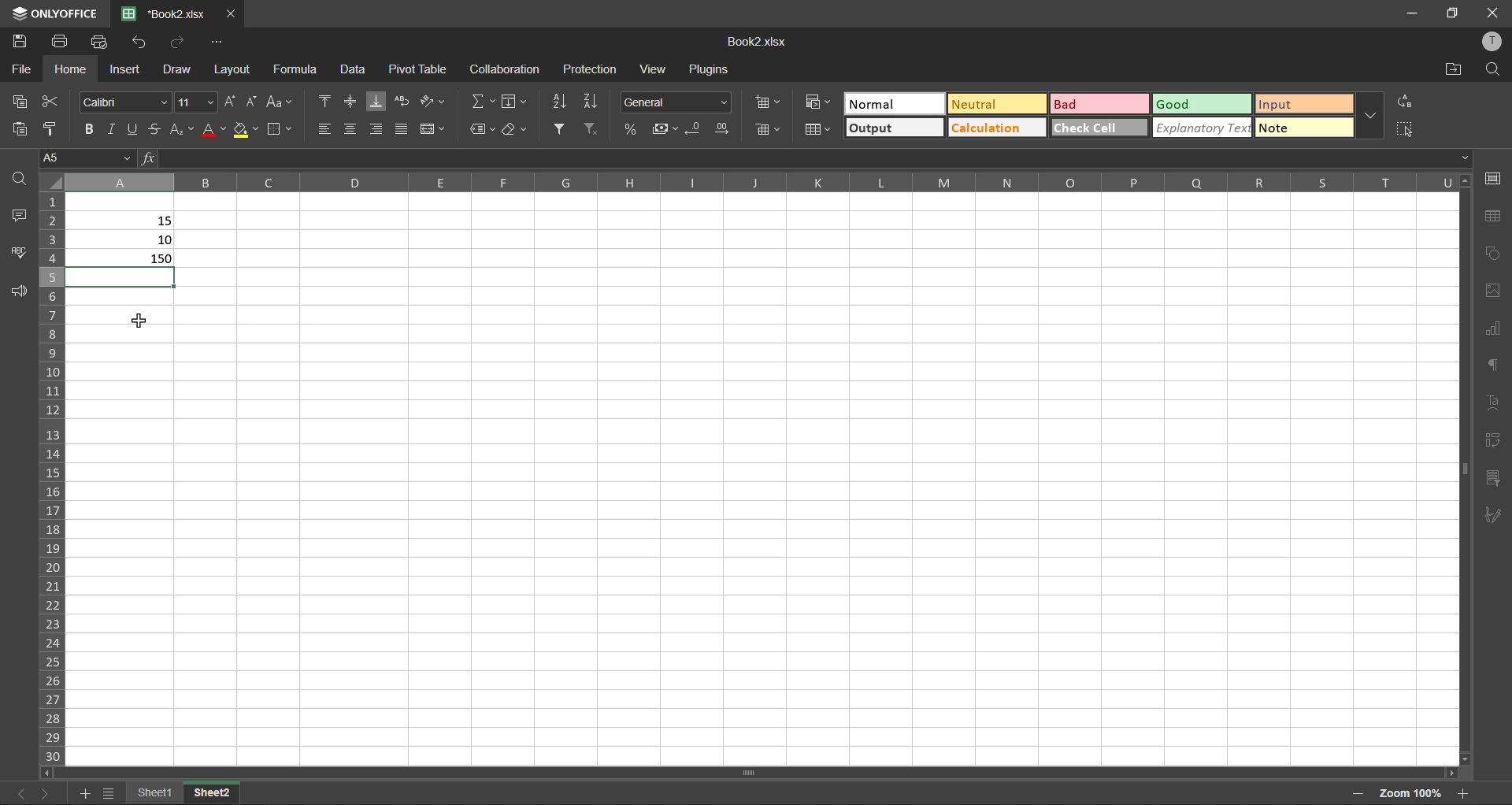 The height and width of the screenshot is (805, 1512). Describe the element at coordinates (352, 129) in the screenshot. I see `align center` at that location.